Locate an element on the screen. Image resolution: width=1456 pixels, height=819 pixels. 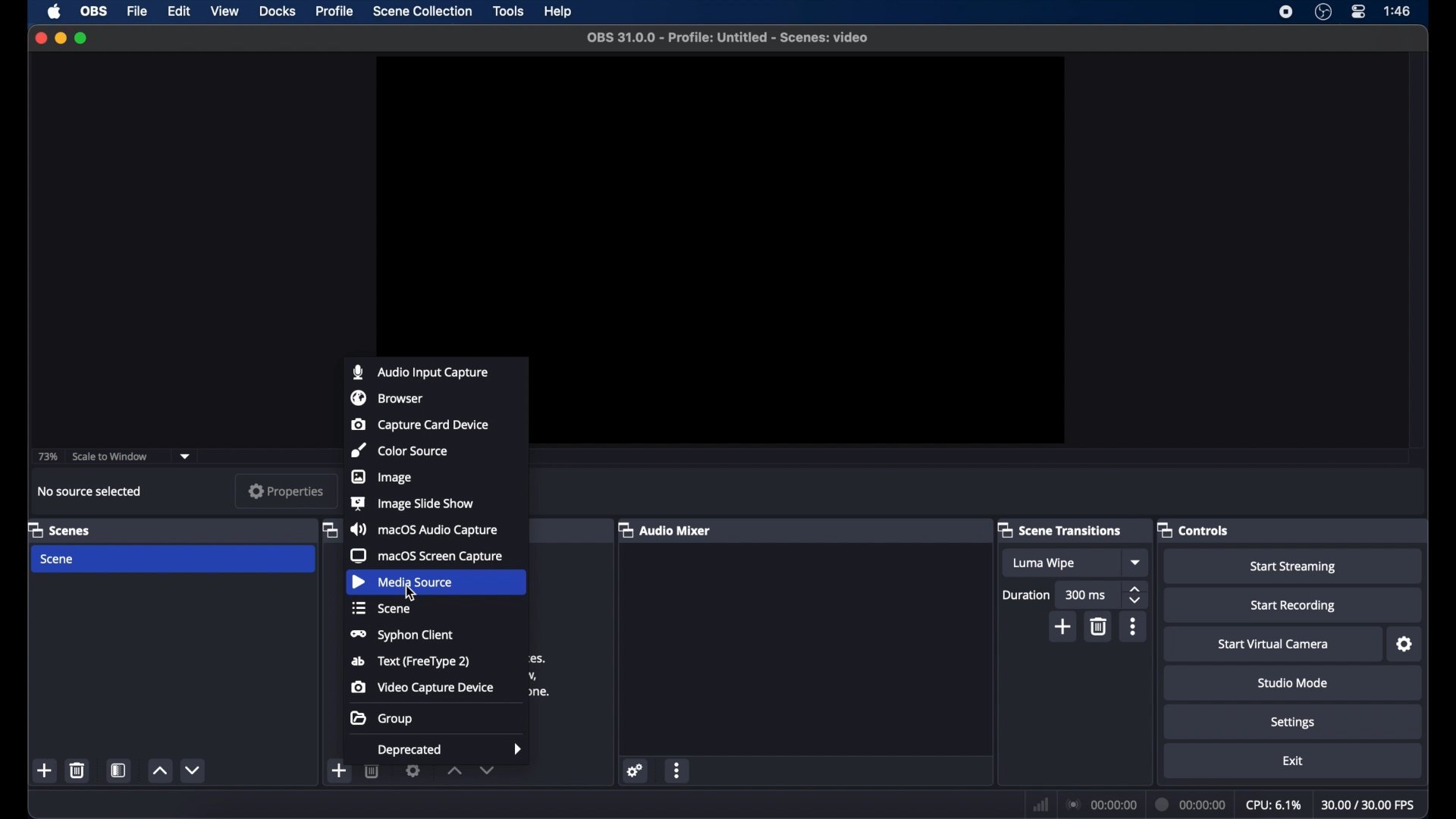
deprecated is located at coordinates (451, 750).